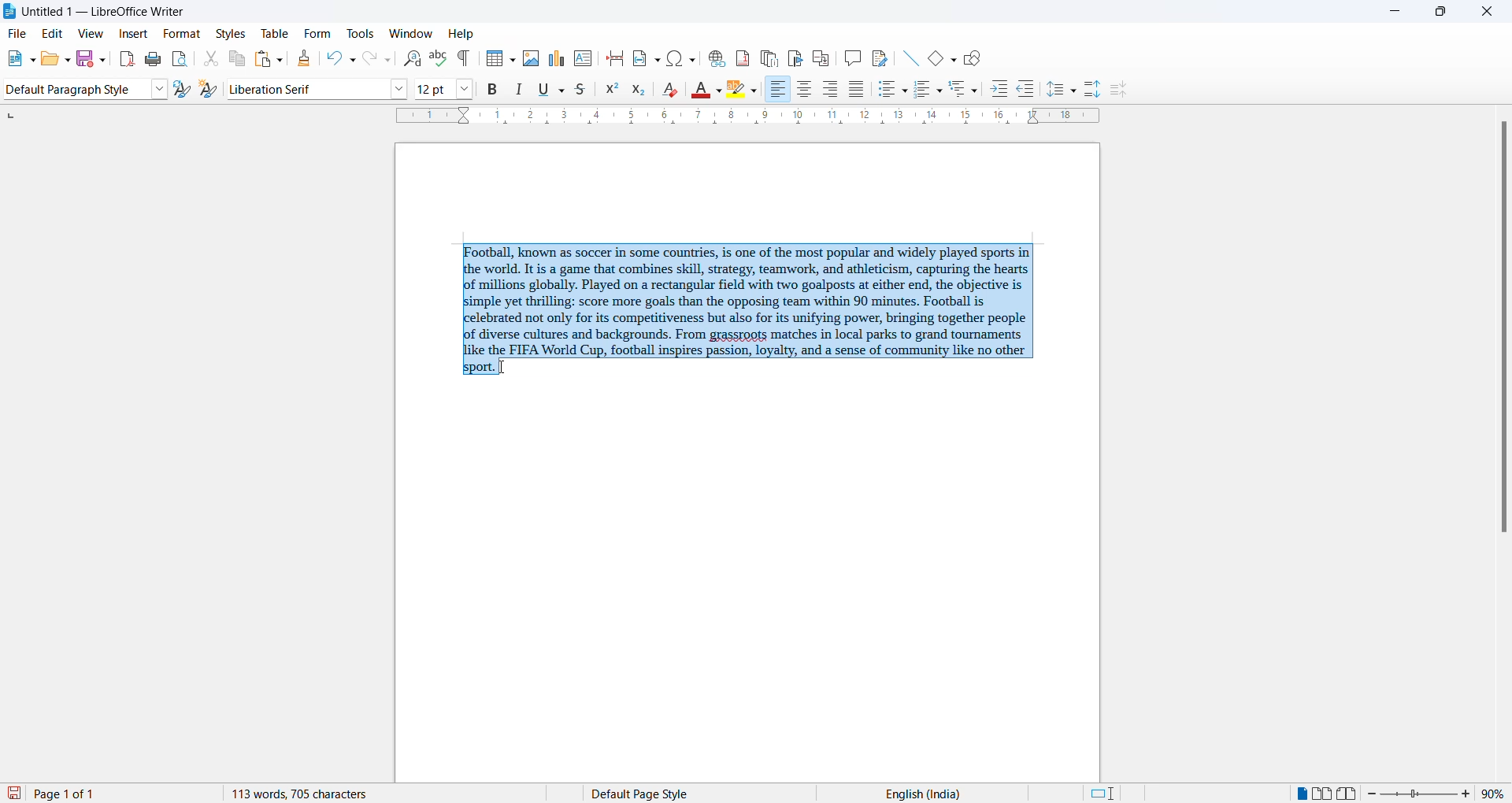  Describe the element at coordinates (976, 60) in the screenshot. I see `show draw functions` at that location.